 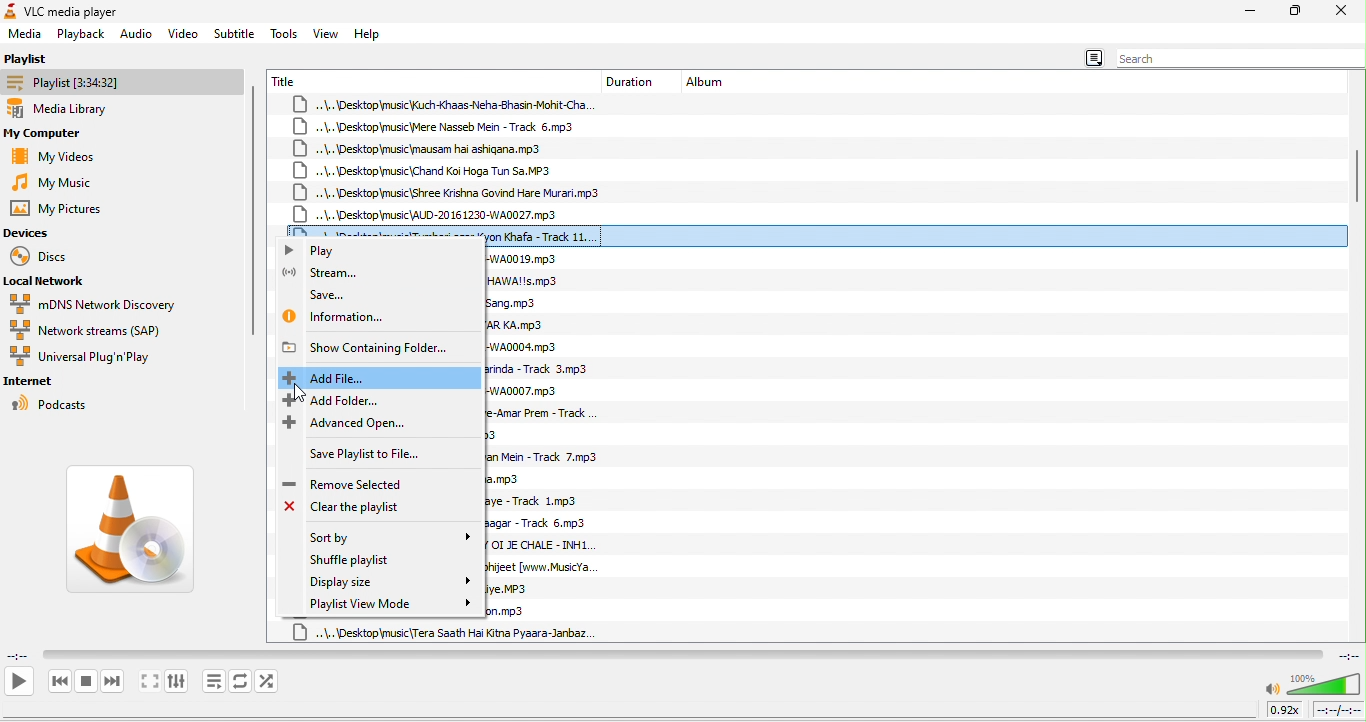 I want to click on remove selected, so click(x=351, y=482).